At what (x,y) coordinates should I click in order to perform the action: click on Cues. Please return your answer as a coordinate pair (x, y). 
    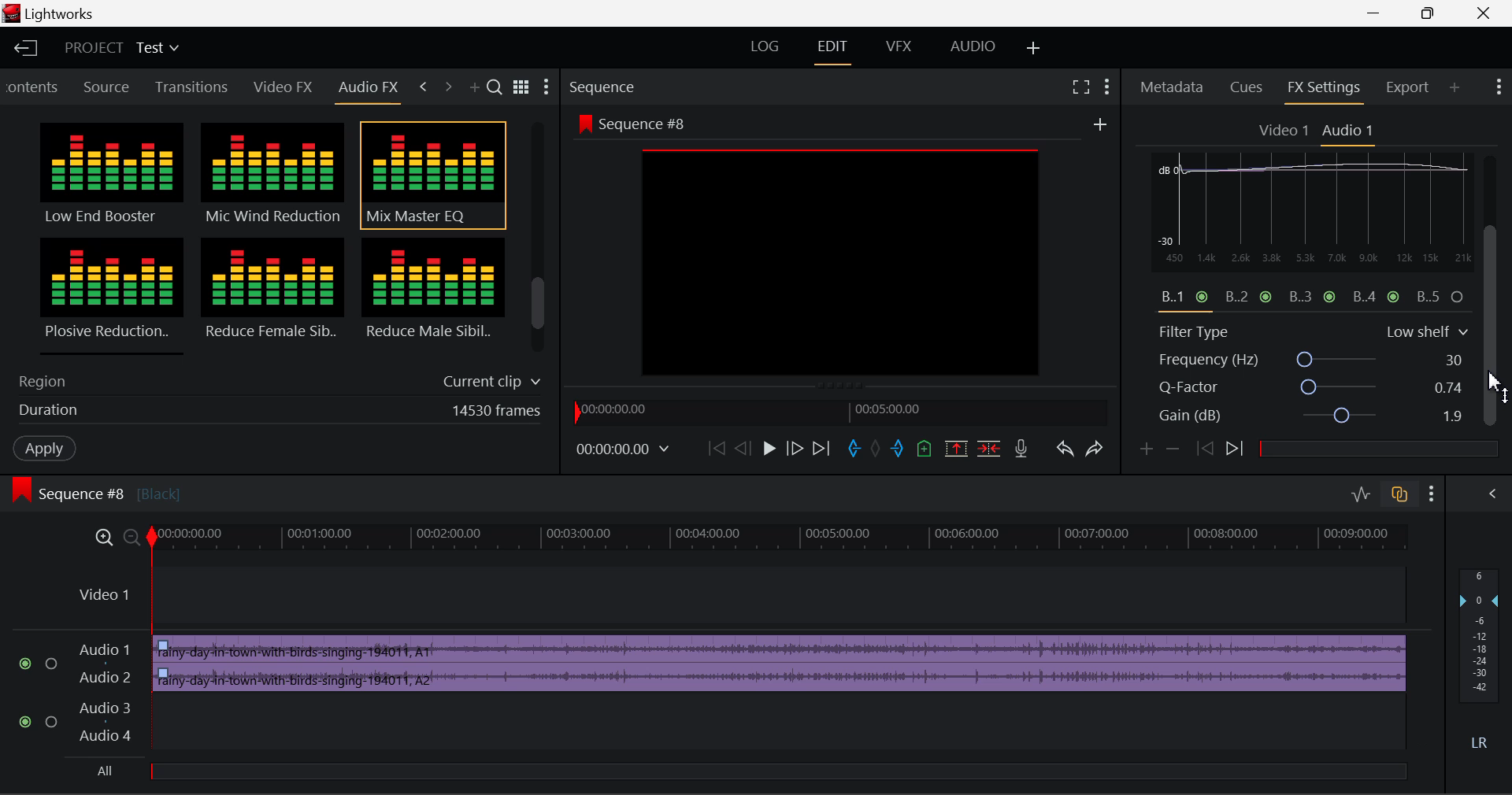
    Looking at the image, I should click on (1247, 89).